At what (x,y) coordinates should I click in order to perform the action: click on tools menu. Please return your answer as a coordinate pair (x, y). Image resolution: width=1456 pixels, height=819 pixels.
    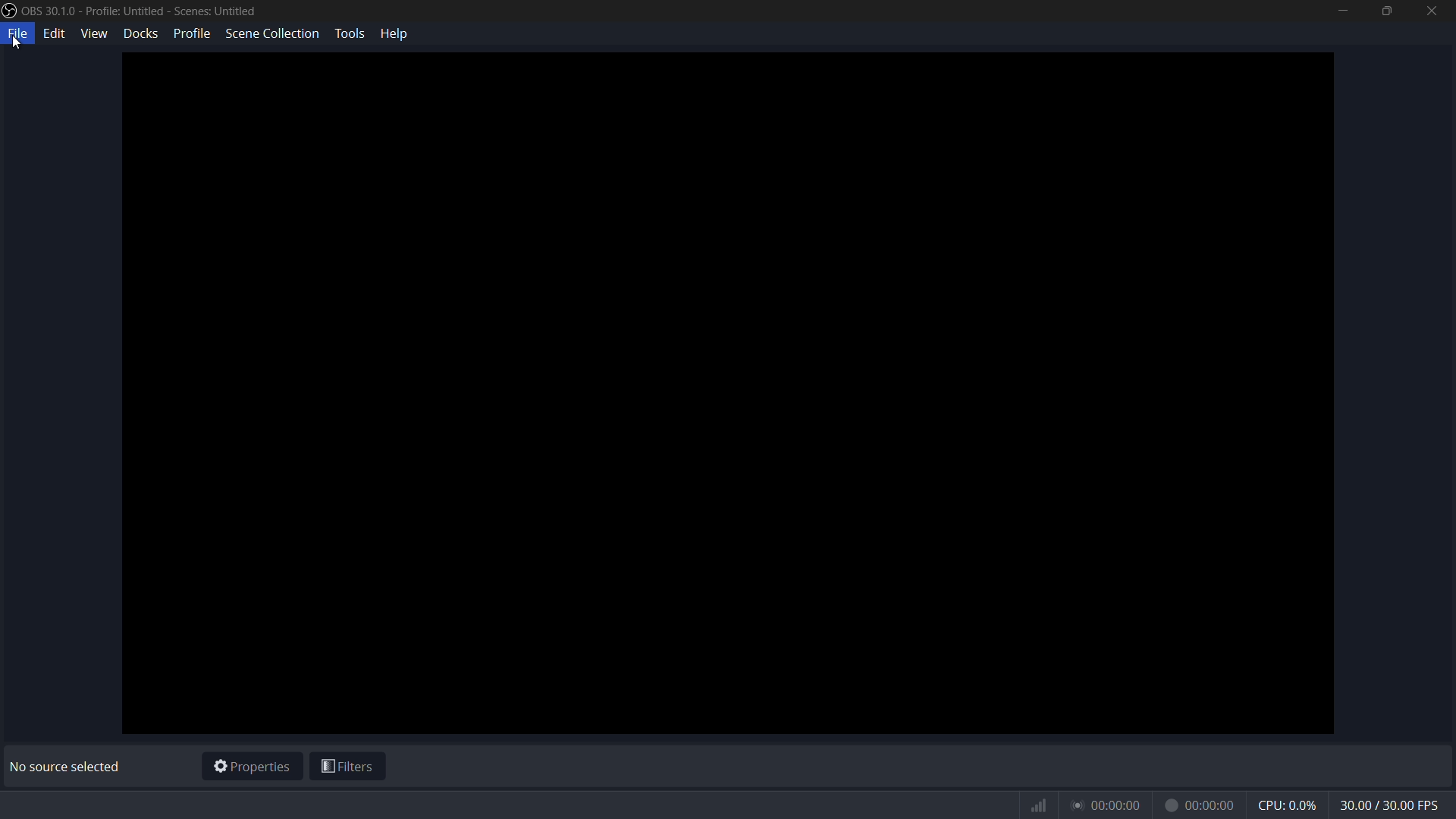
    Looking at the image, I should click on (349, 33).